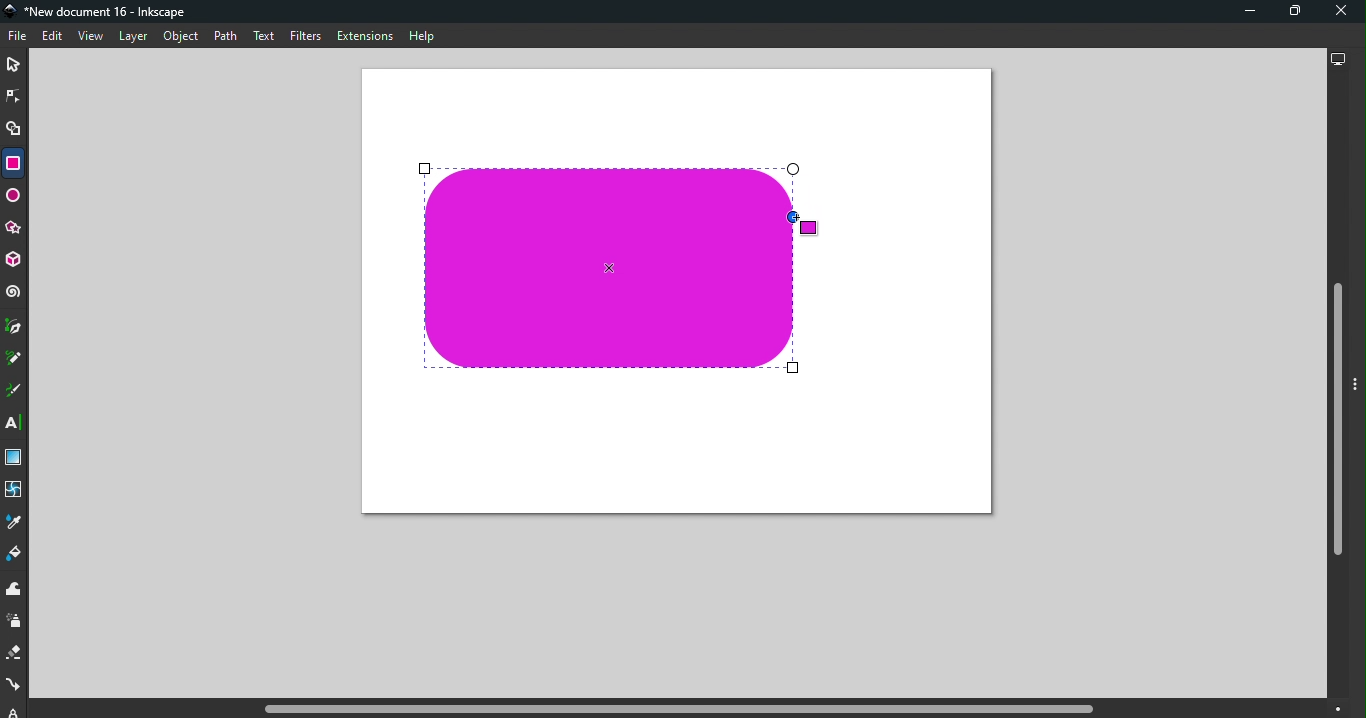 The height and width of the screenshot is (718, 1366). I want to click on Dropper tool, so click(14, 522).